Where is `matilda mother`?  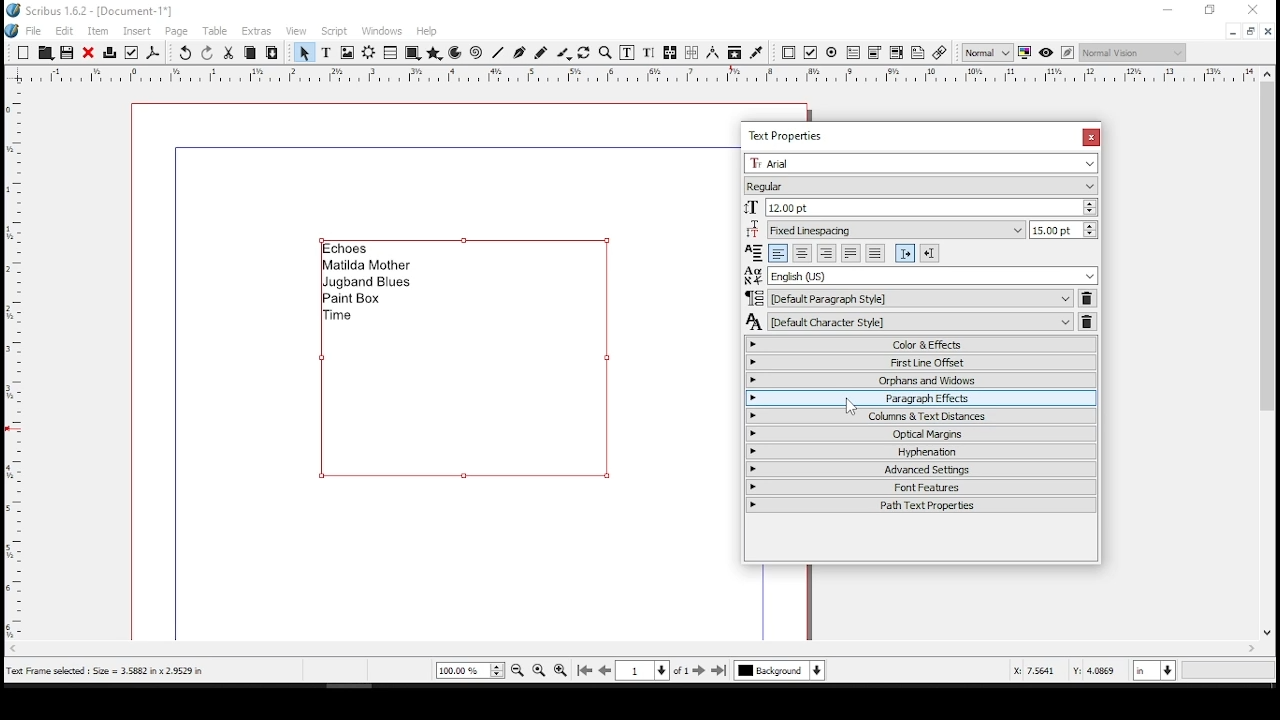
matilda mother is located at coordinates (367, 266).